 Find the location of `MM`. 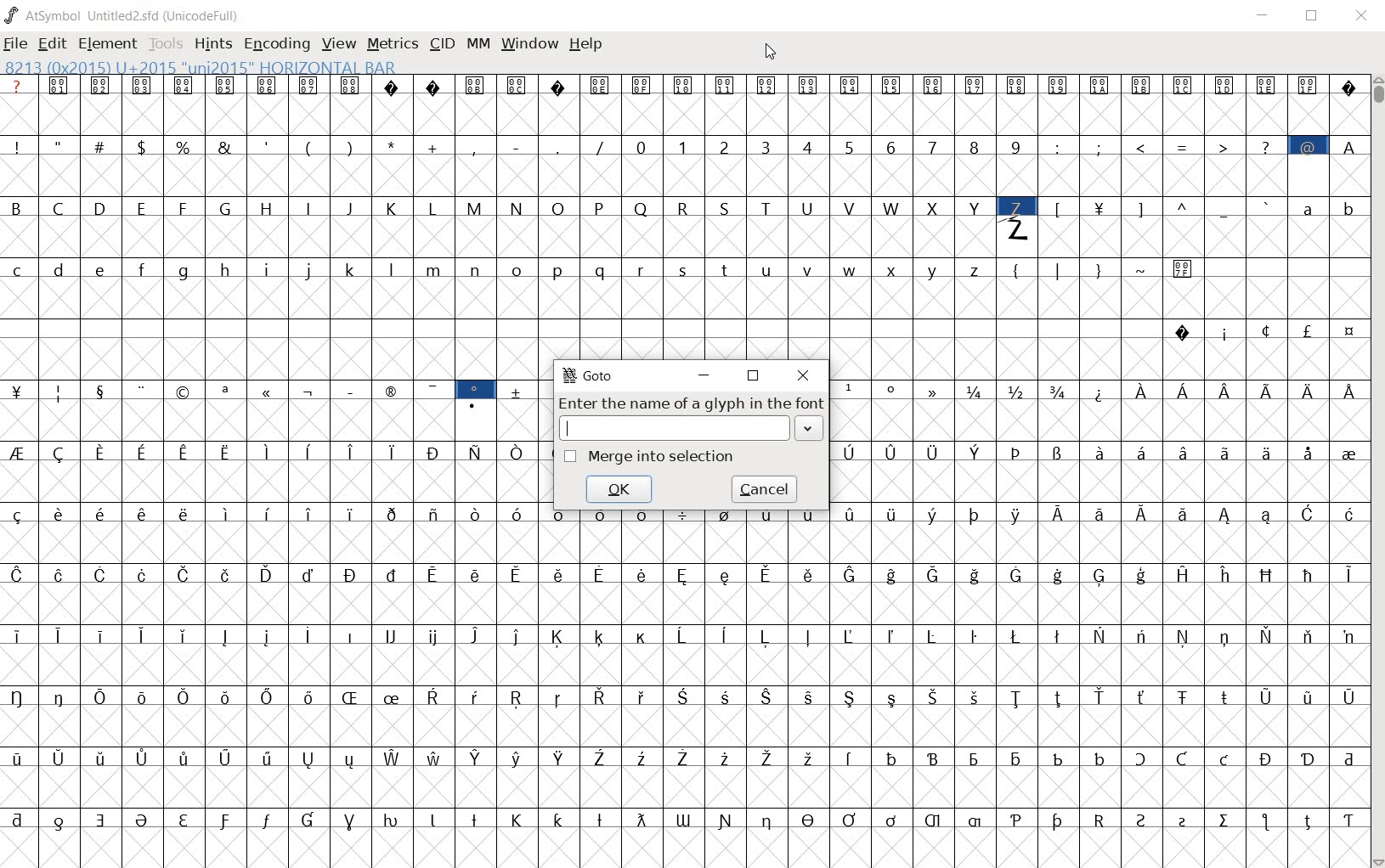

MM is located at coordinates (479, 45).